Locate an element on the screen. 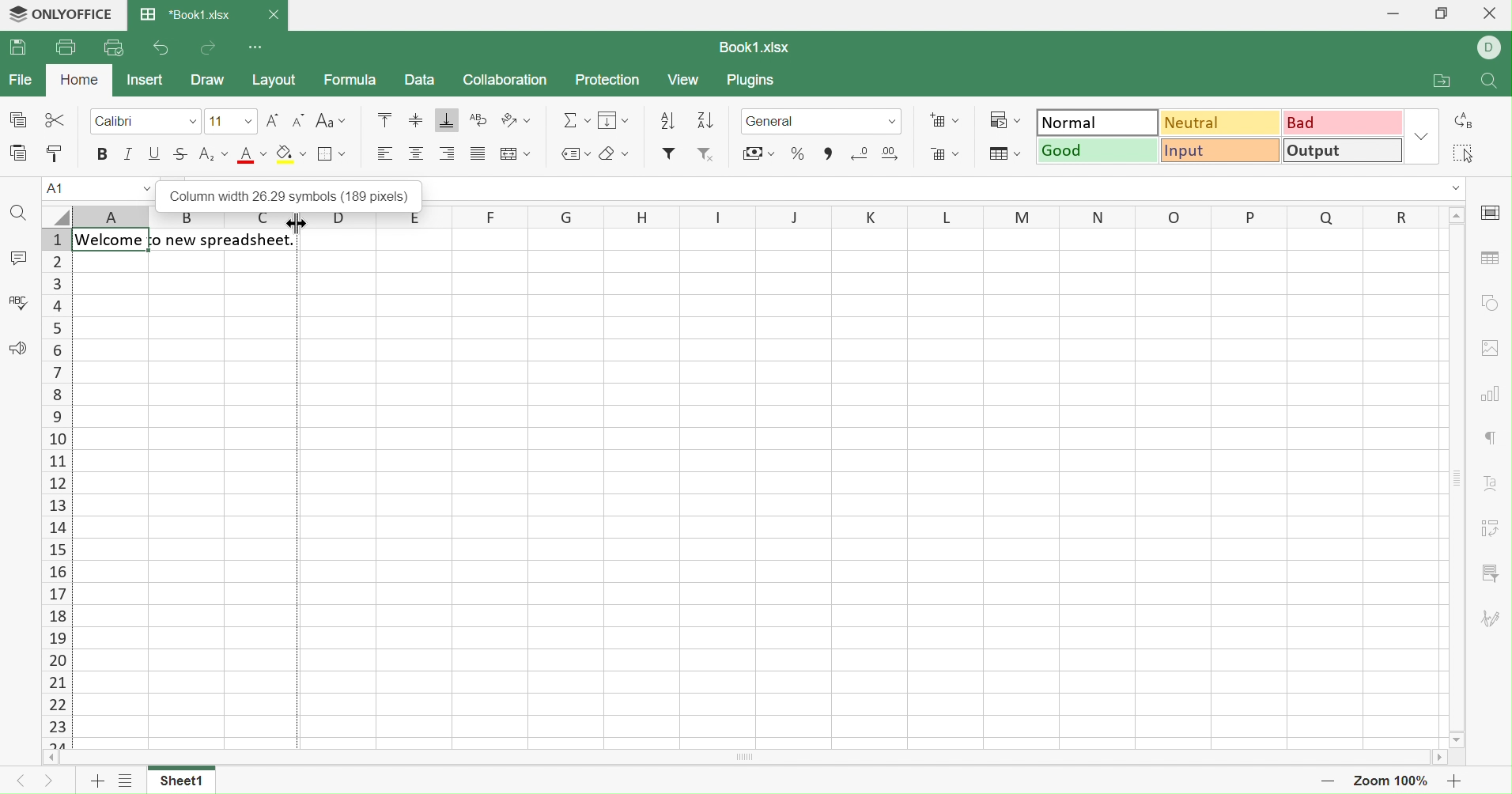  Orientation is located at coordinates (517, 120).